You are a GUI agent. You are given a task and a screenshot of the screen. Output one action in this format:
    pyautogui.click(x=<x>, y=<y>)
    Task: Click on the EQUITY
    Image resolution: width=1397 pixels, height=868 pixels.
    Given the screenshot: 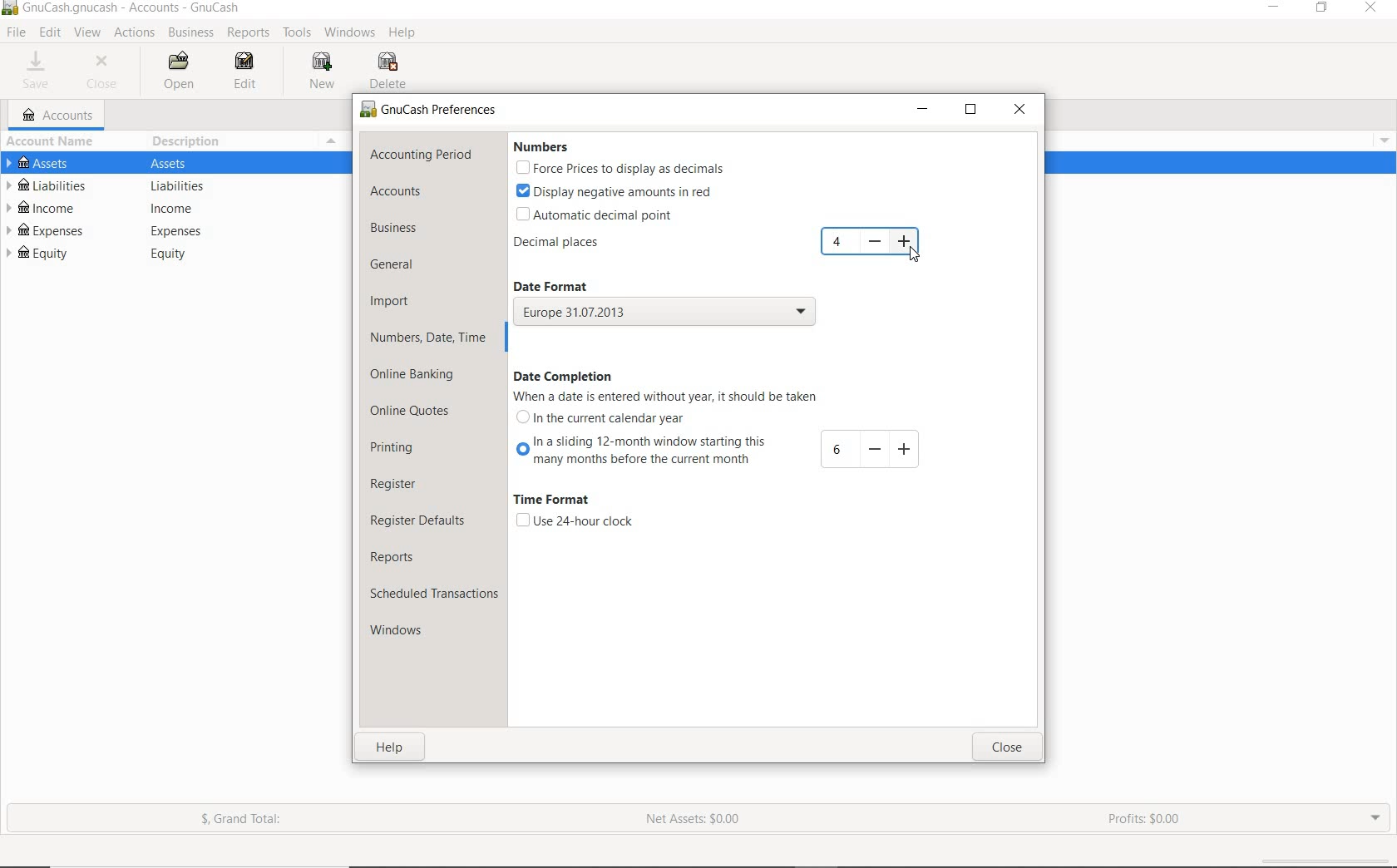 What is the action you would take?
    pyautogui.click(x=177, y=254)
    